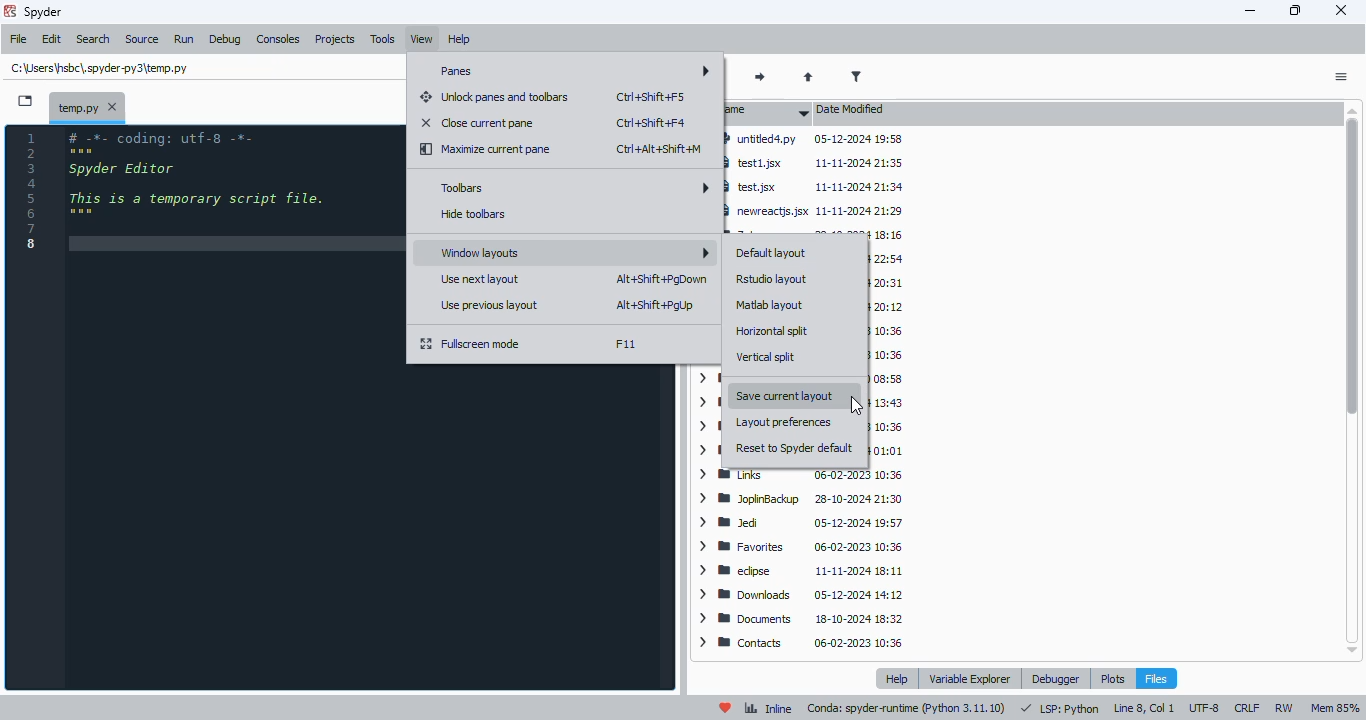 This screenshot has width=1366, height=720. Describe the element at coordinates (799, 571) in the screenshot. I see `eclipse` at that location.